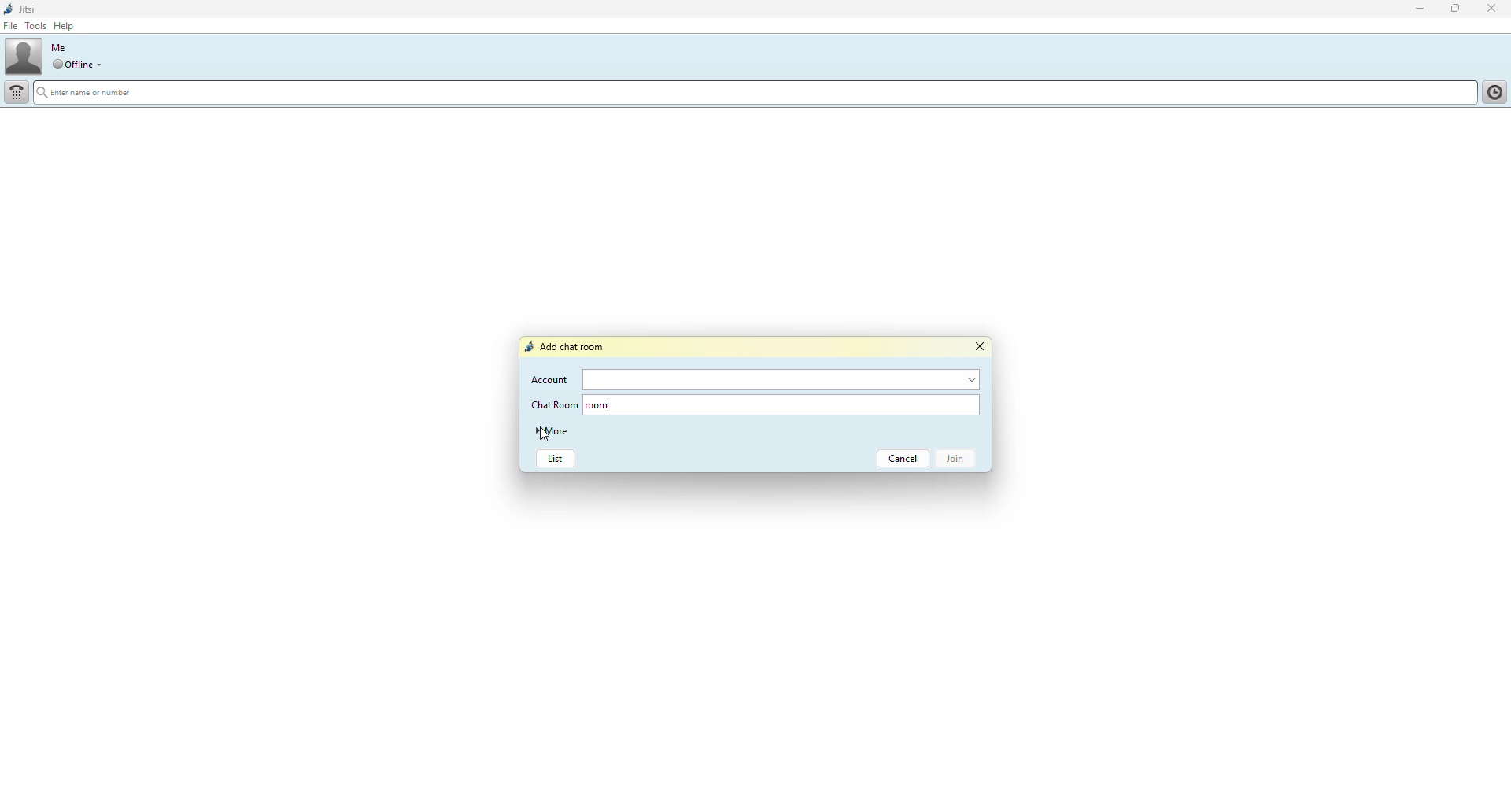  Describe the element at coordinates (753, 92) in the screenshot. I see `search name` at that location.